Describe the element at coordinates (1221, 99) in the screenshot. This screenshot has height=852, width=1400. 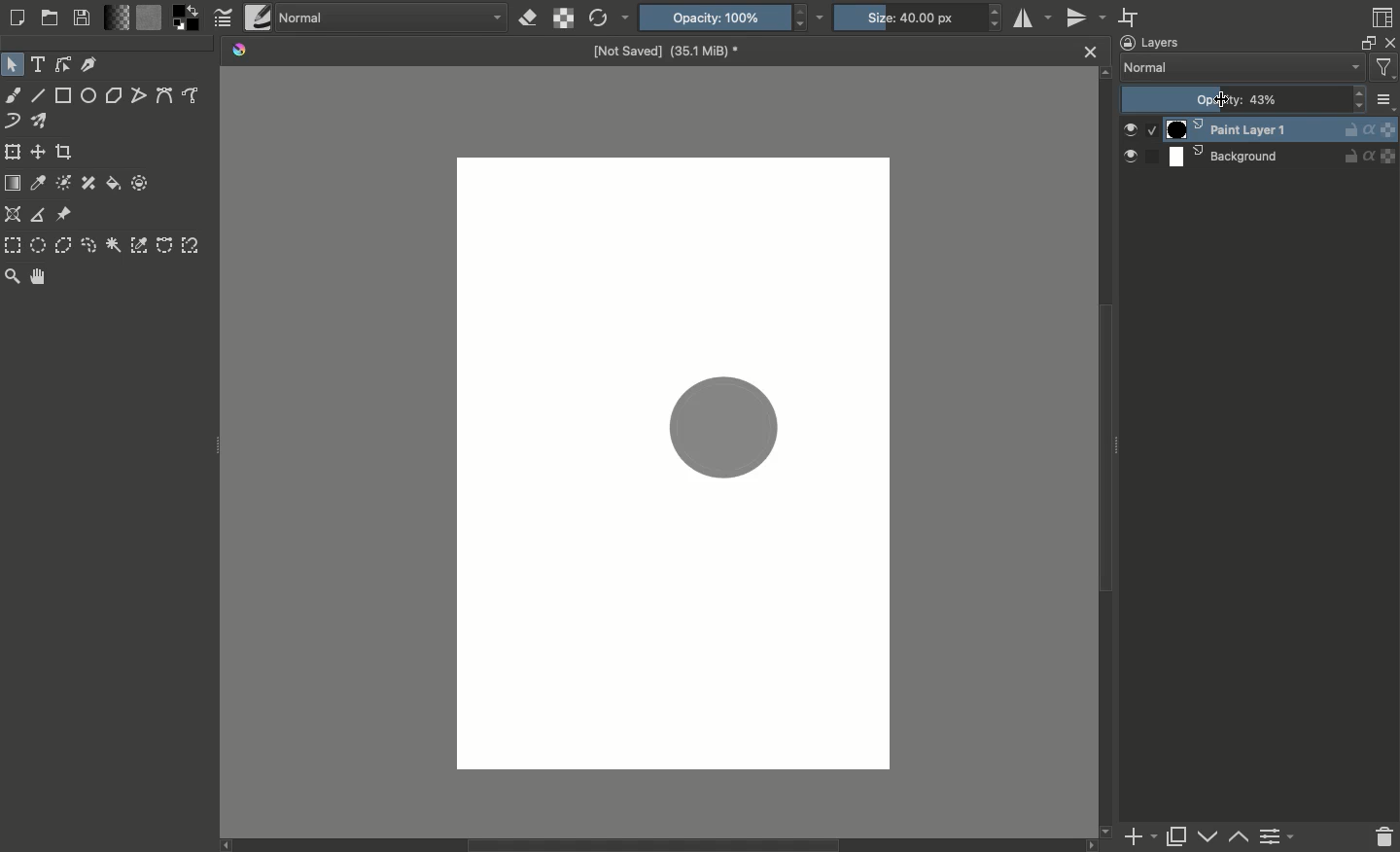
I see `cursor` at that location.